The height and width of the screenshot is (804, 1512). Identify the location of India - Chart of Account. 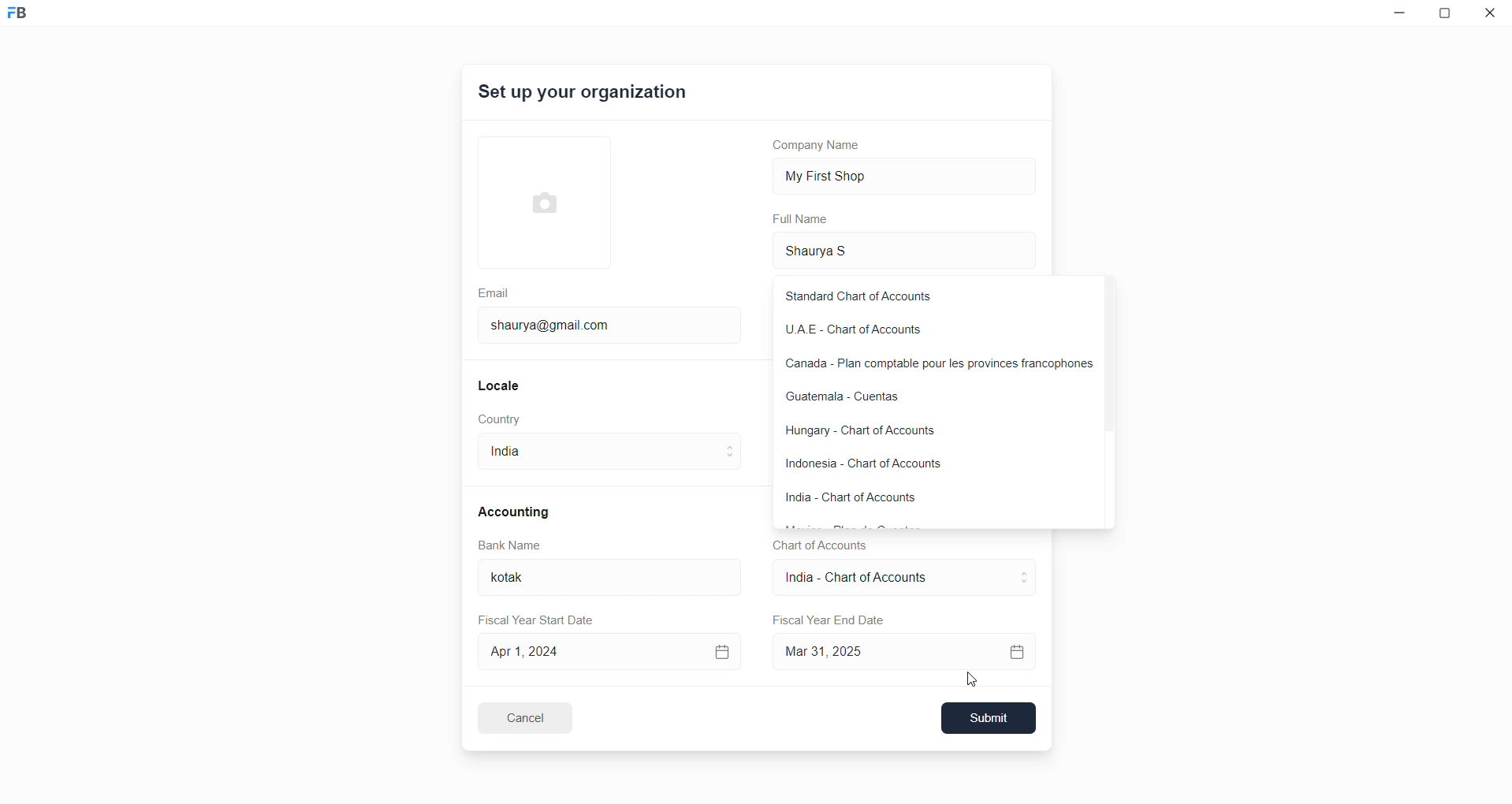
(865, 579).